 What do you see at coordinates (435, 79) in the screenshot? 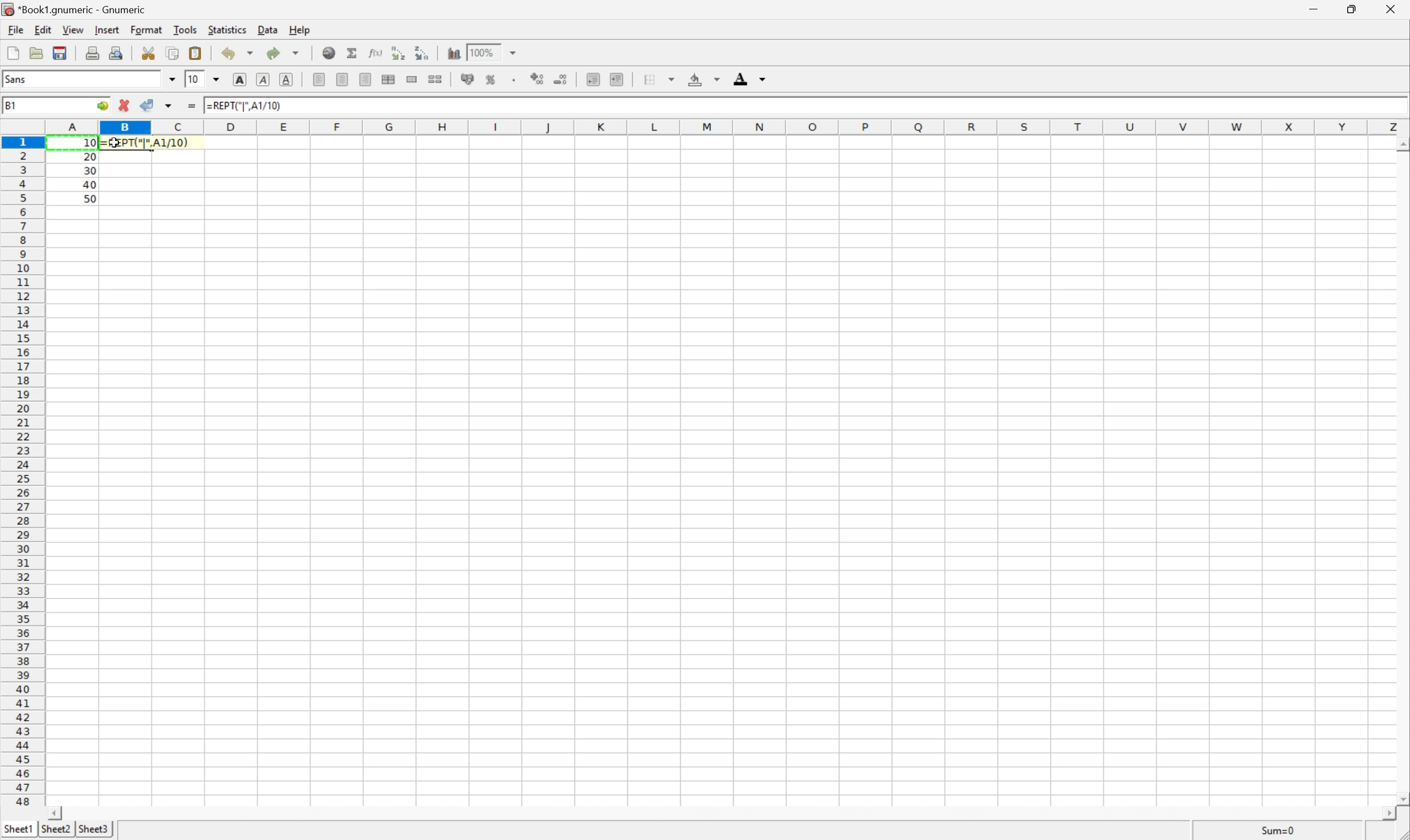
I see `Split the ranges of merged cells` at bounding box center [435, 79].